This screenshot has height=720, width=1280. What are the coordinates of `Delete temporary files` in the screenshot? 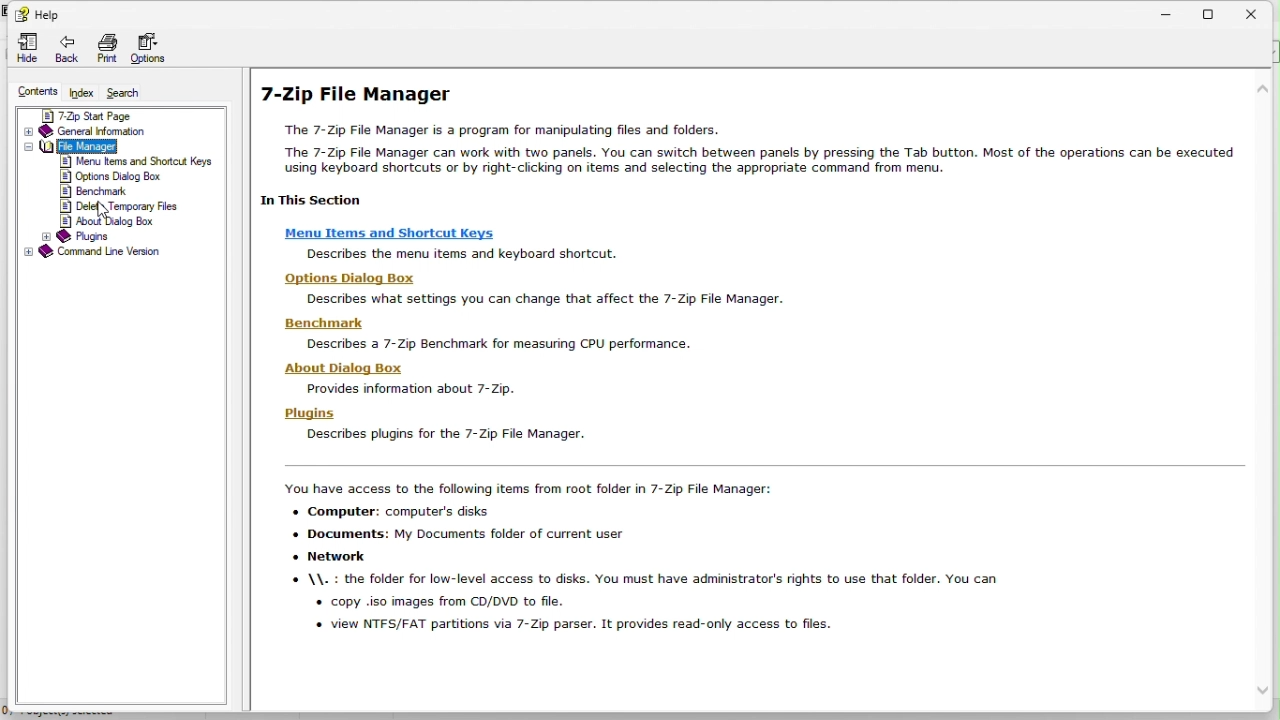 It's located at (129, 207).